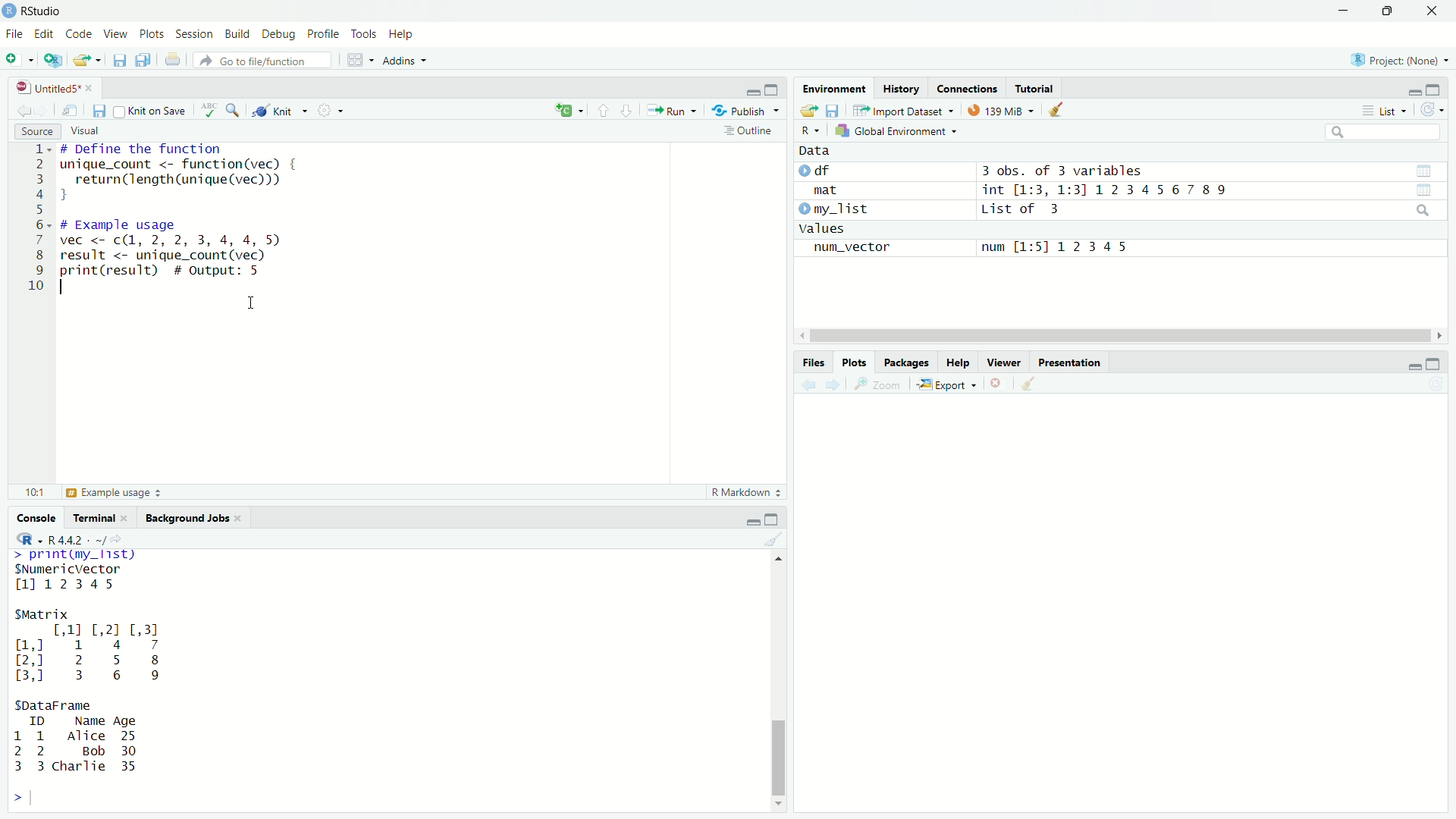 The width and height of the screenshot is (1456, 819). I want to click on Zoom, so click(882, 384).